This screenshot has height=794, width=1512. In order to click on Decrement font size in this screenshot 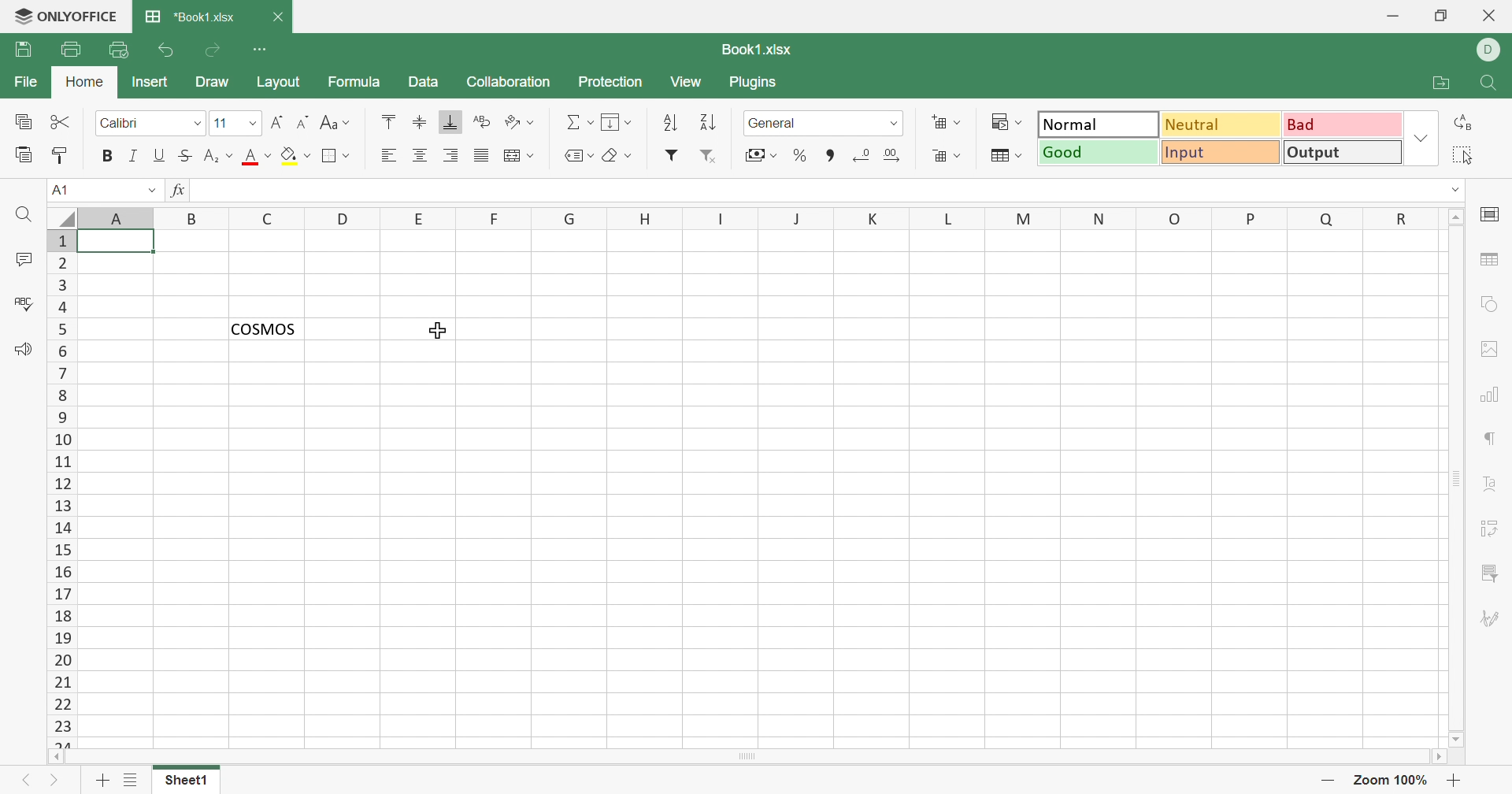, I will do `click(303, 121)`.